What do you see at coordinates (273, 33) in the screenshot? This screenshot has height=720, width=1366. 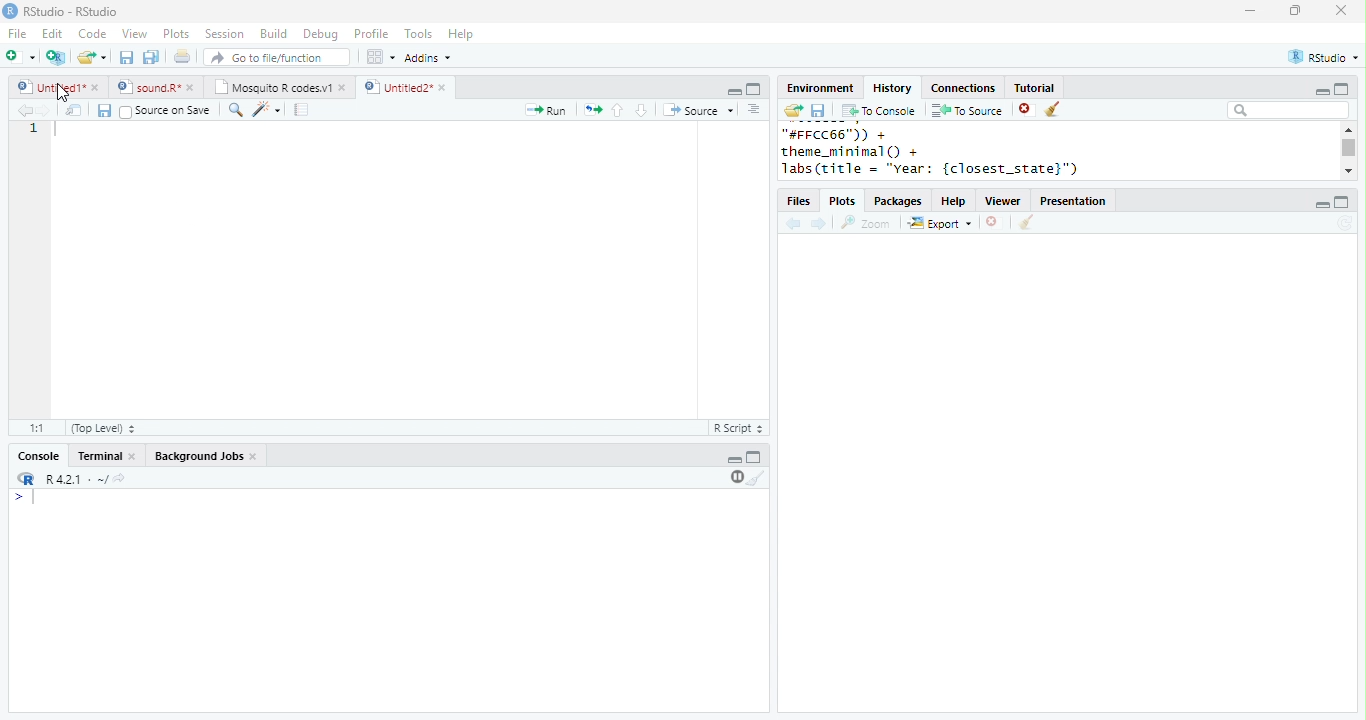 I see `Build` at bounding box center [273, 33].